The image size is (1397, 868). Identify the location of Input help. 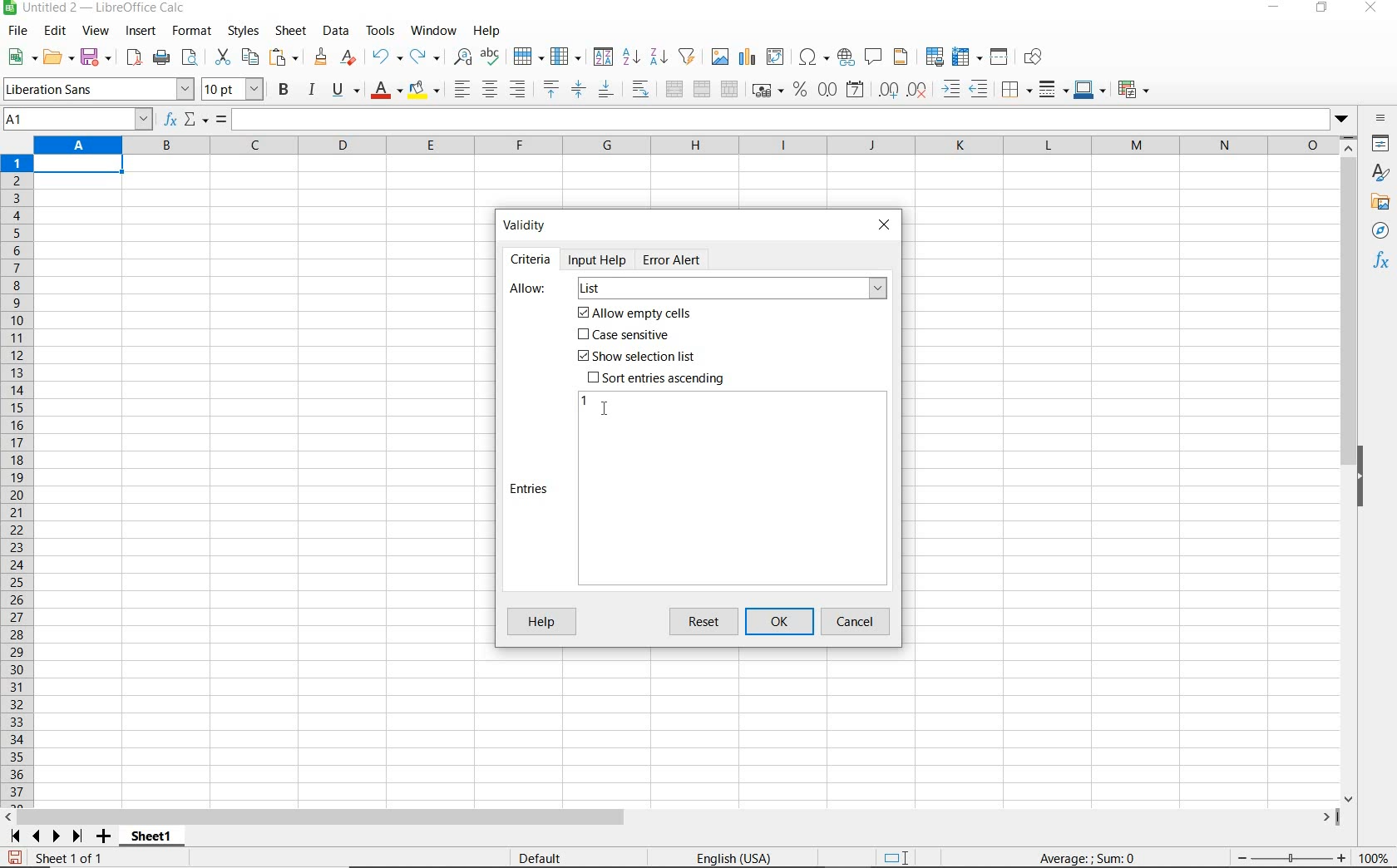
(599, 259).